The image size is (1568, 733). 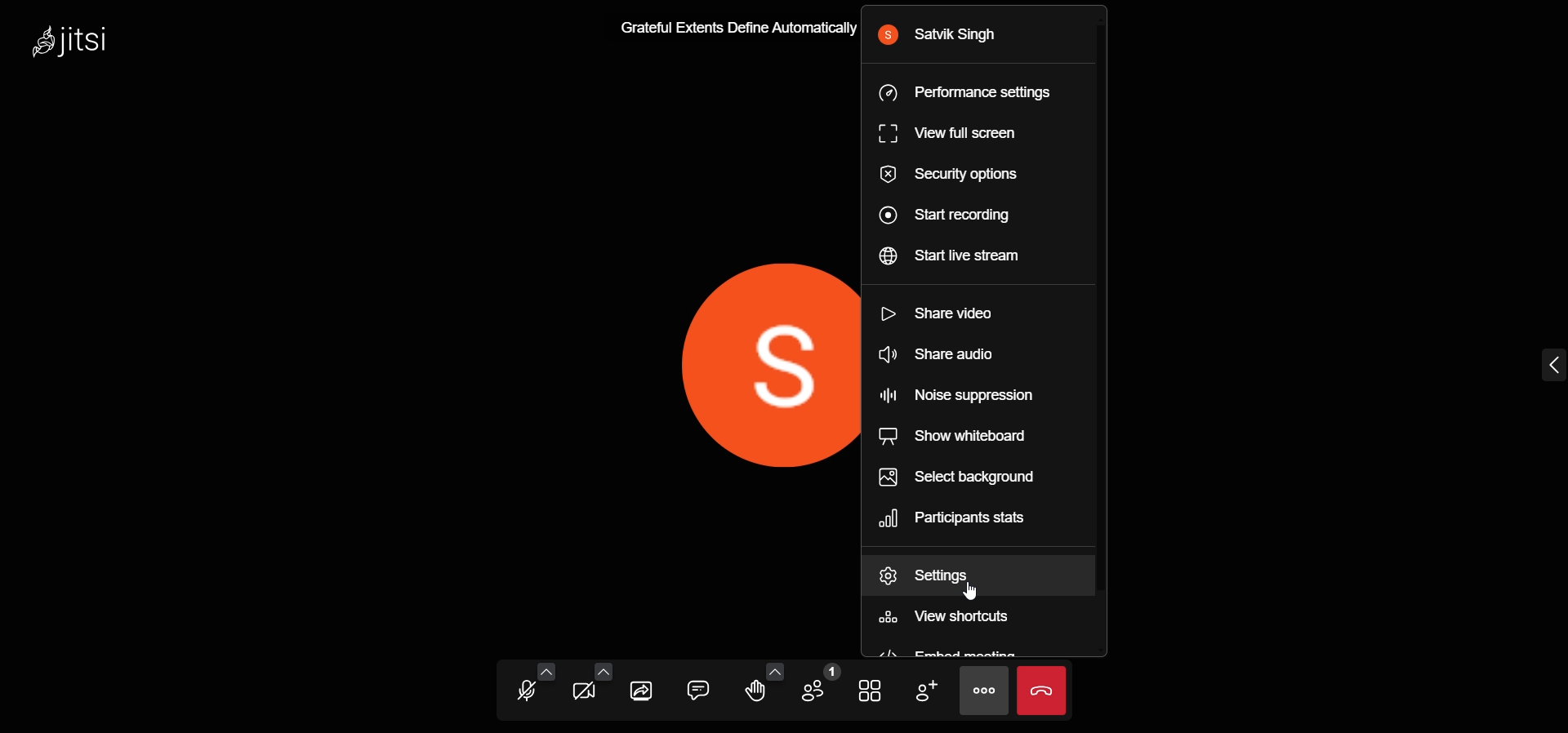 What do you see at coordinates (951, 174) in the screenshot?
I see `security options` at bounding box center [951, 174].